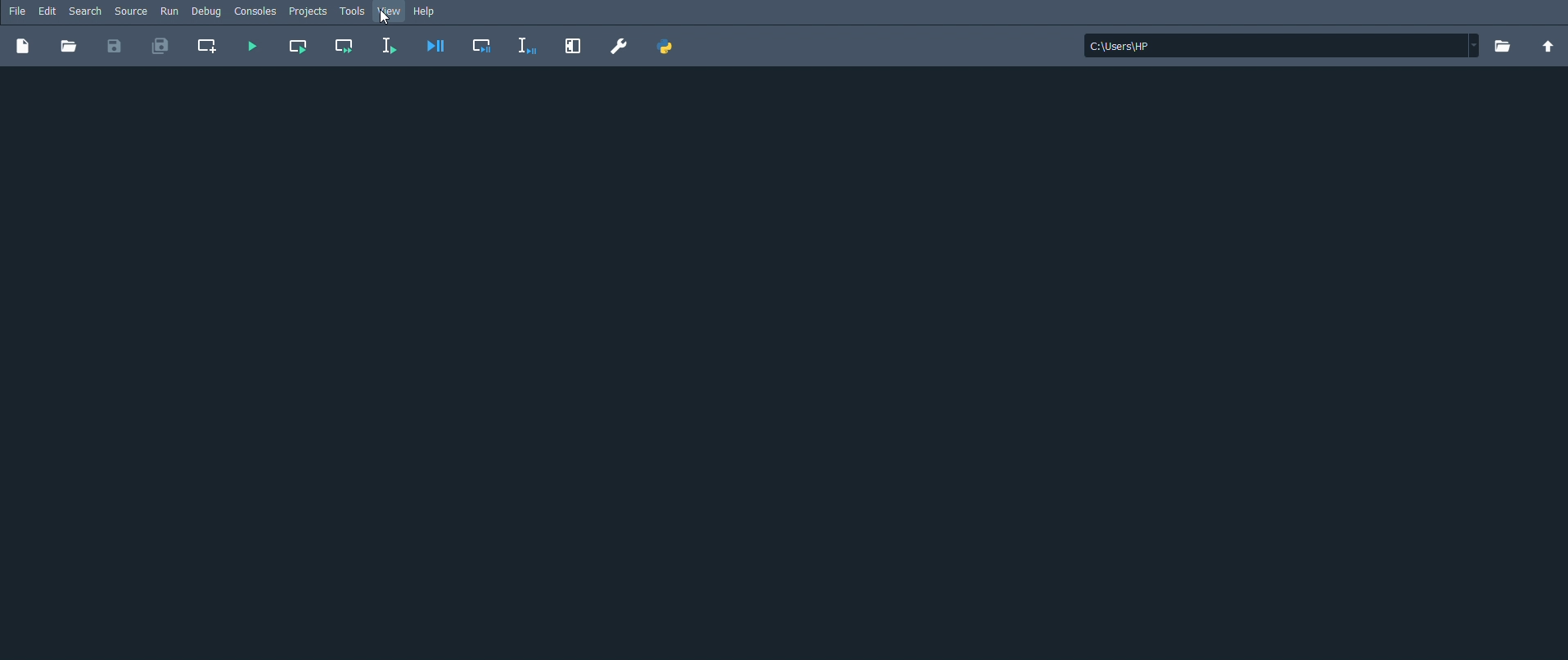  I want to click on Preferences, so click(618, 46).